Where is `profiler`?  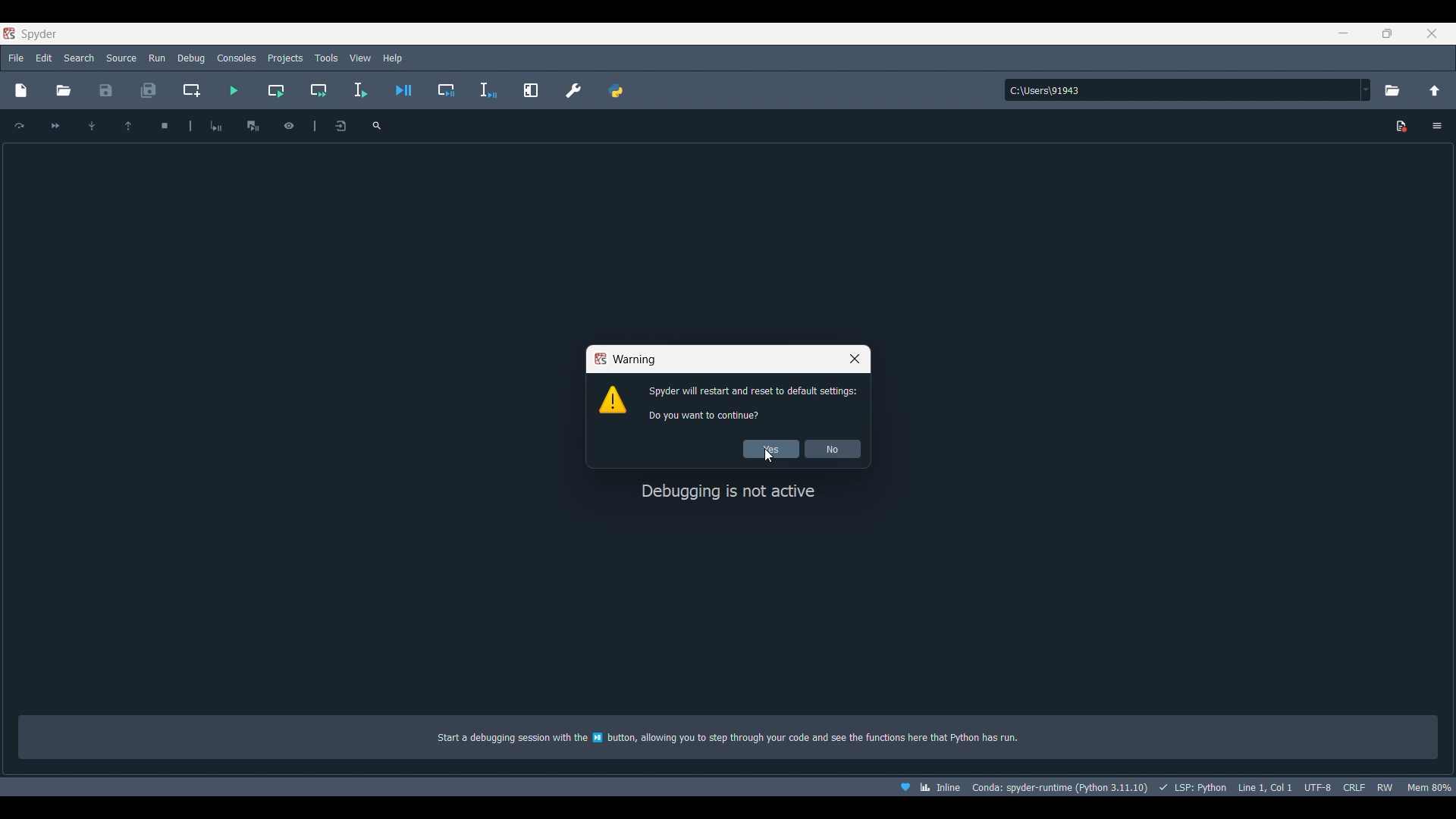
profiler is located at coordinates (289, 124).